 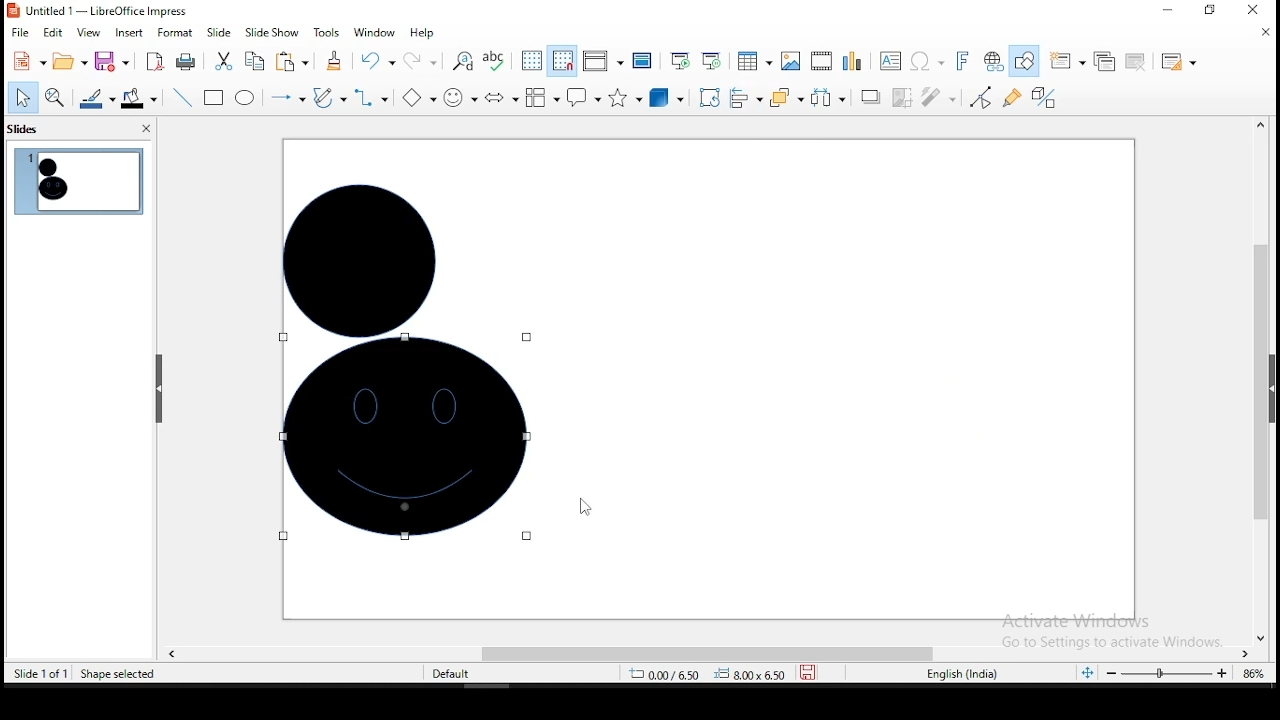 What do you see at coordinates (499, 61) in the screenshot?
I see `spell check` at bounding box center [499, 61].